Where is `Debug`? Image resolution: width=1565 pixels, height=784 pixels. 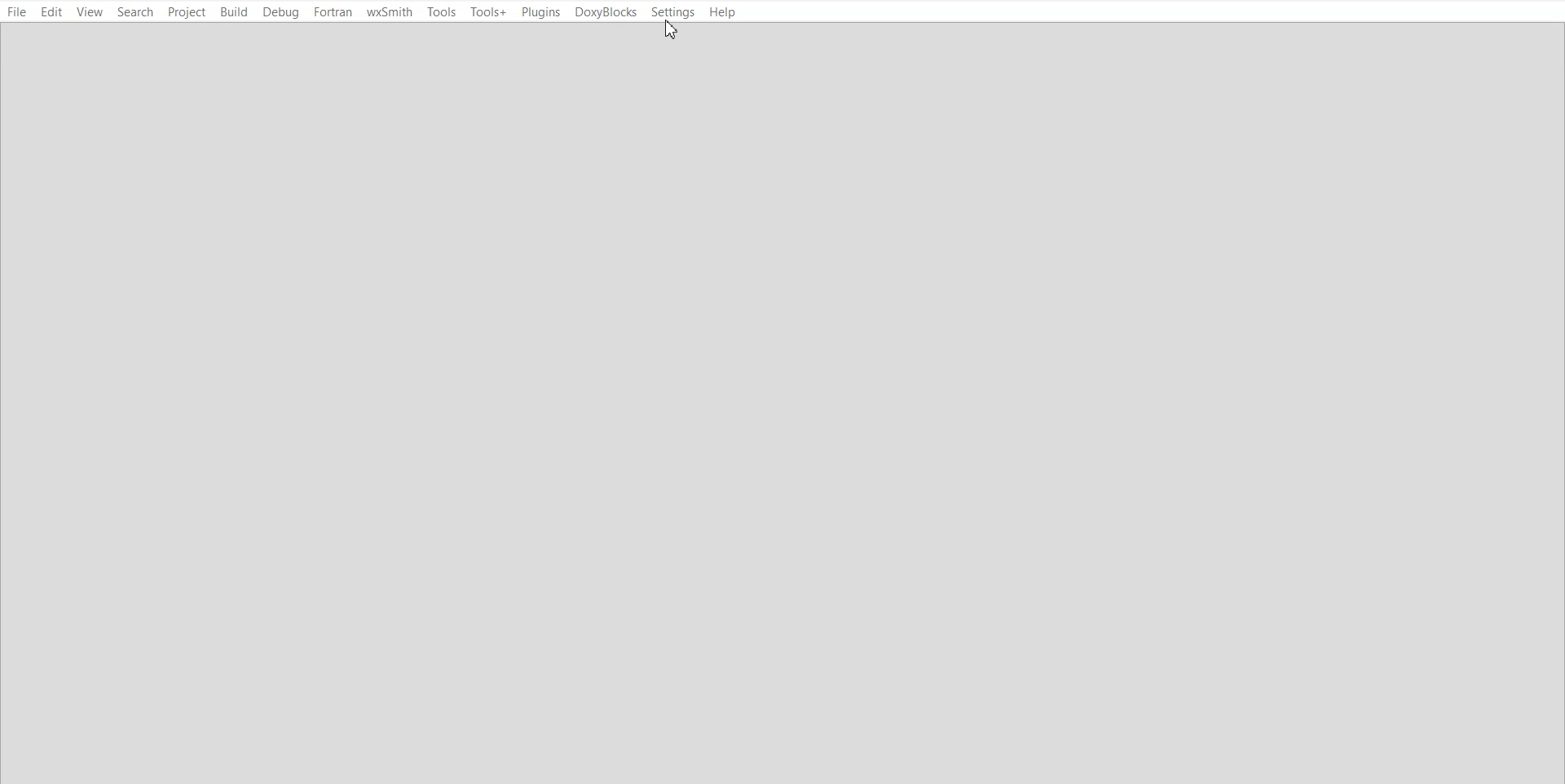 Debug is located at coordinates (280, 12).